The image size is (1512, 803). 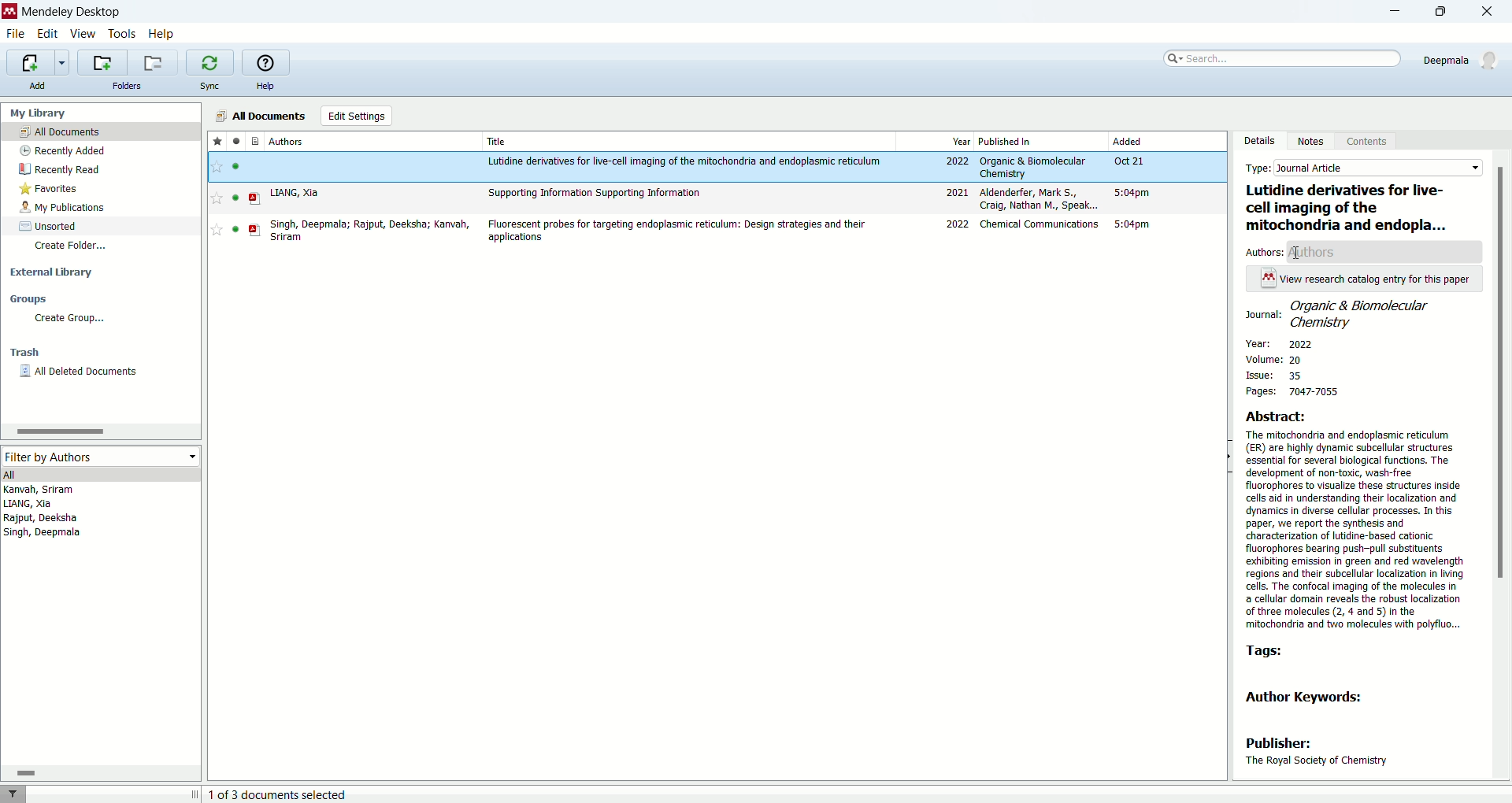 I want to click on sync, so click(x=209, y=86).